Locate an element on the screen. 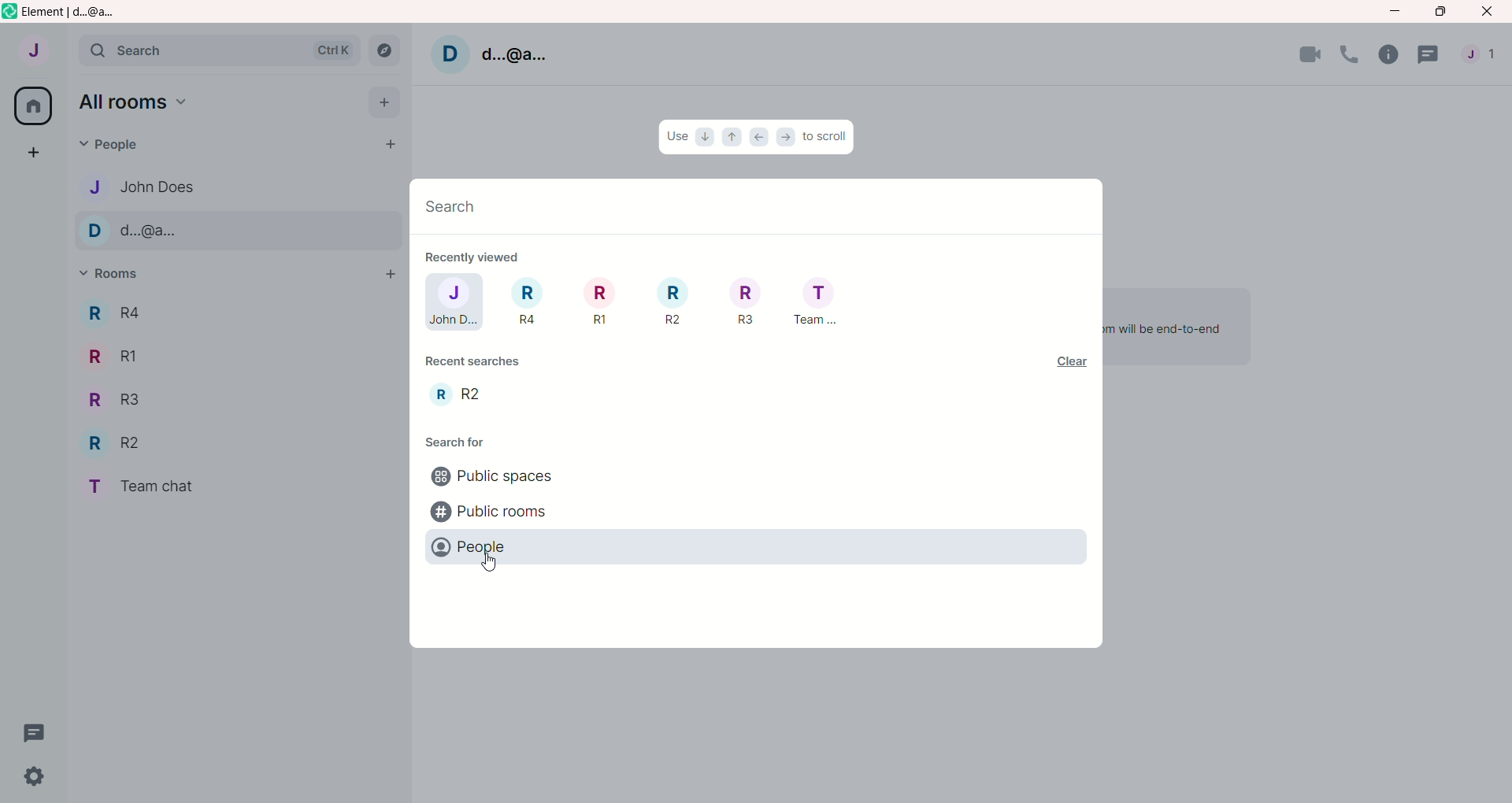 This screenshot has width=1512, height=803. public rooms is located at coordinates (491, 511).